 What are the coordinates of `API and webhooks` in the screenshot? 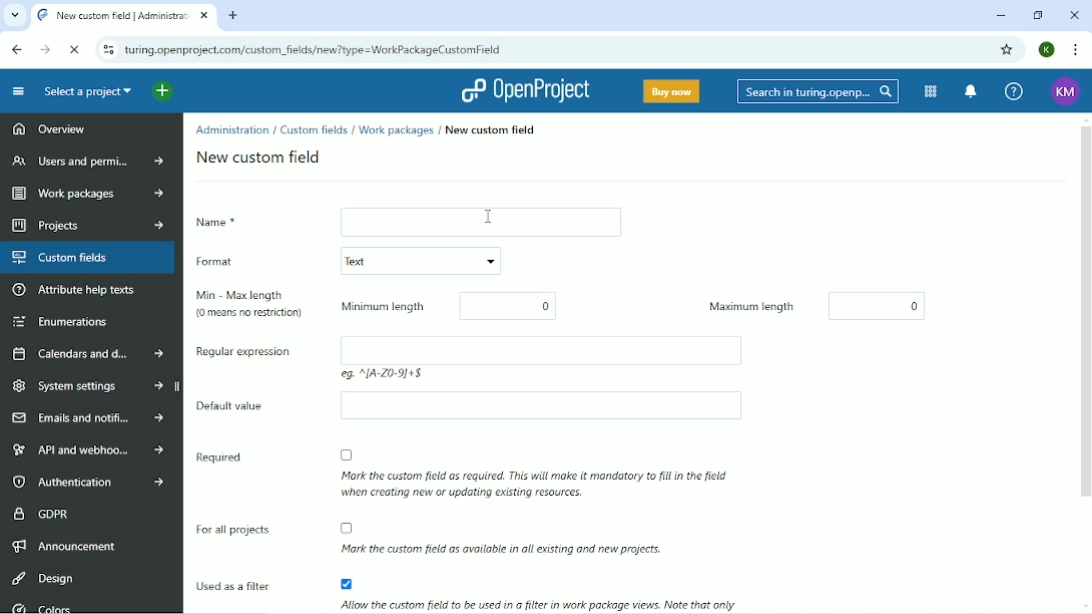 It's located at (90, 449).